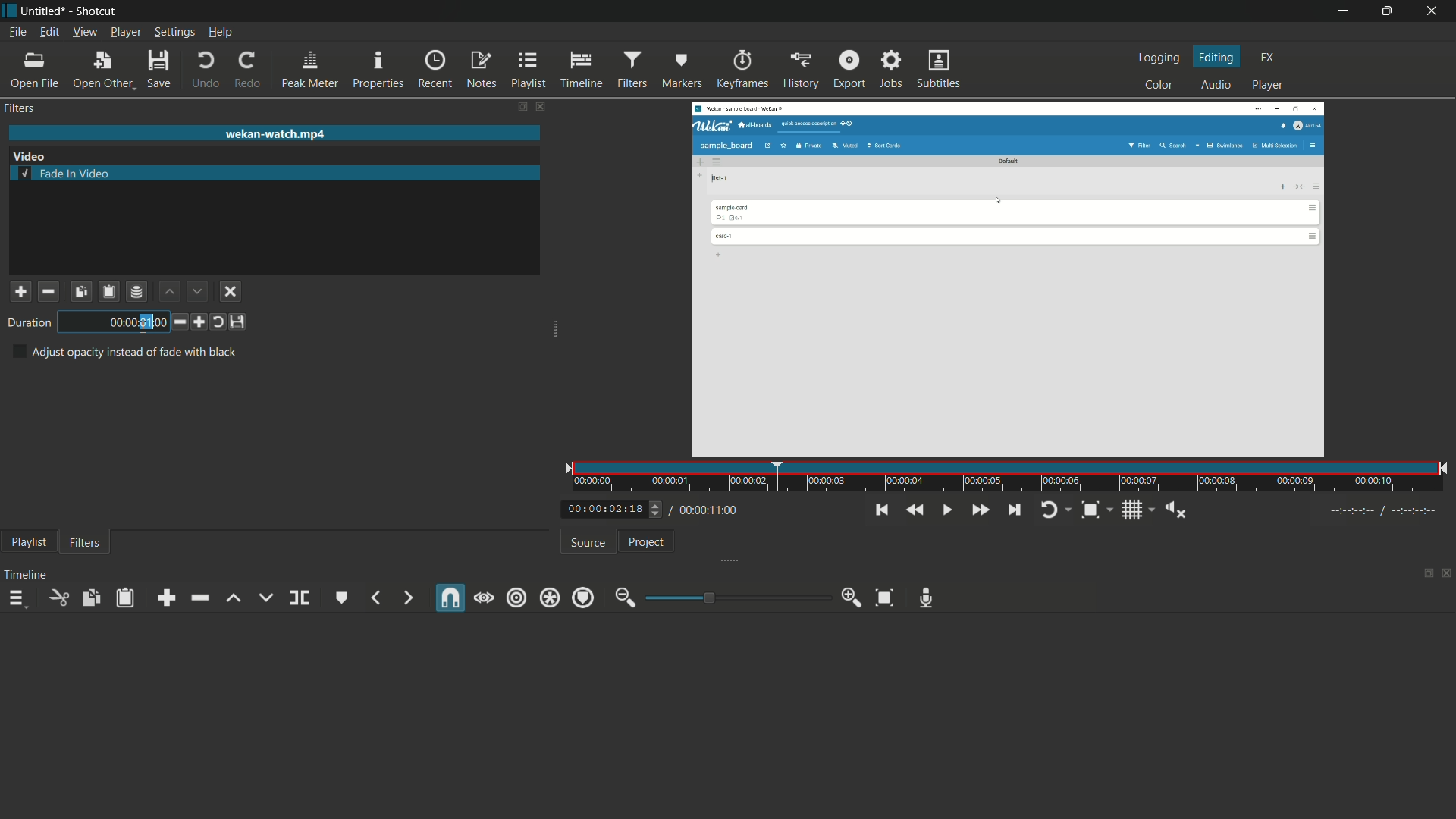 The height and width of the screenshot is (819, 1456). I want to click on timeline, so click(26, 575).